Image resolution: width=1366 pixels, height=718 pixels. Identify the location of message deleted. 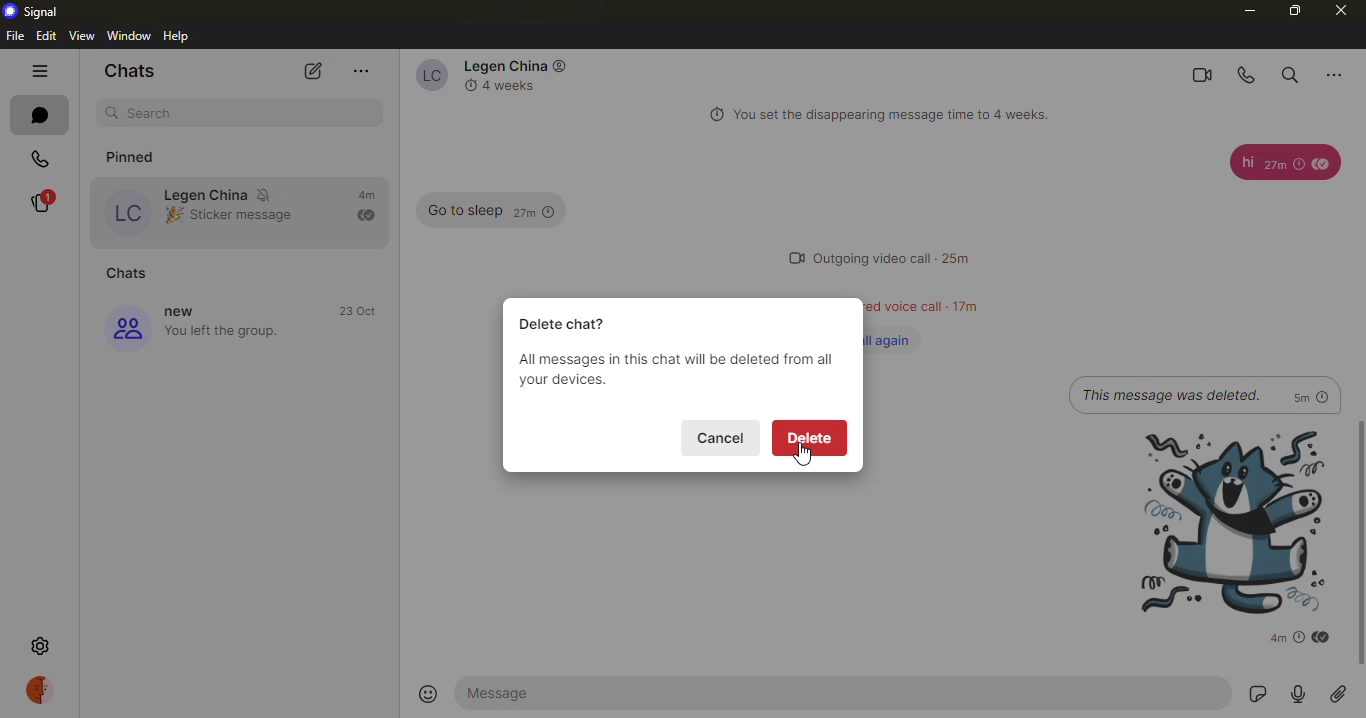
(1171, 394).